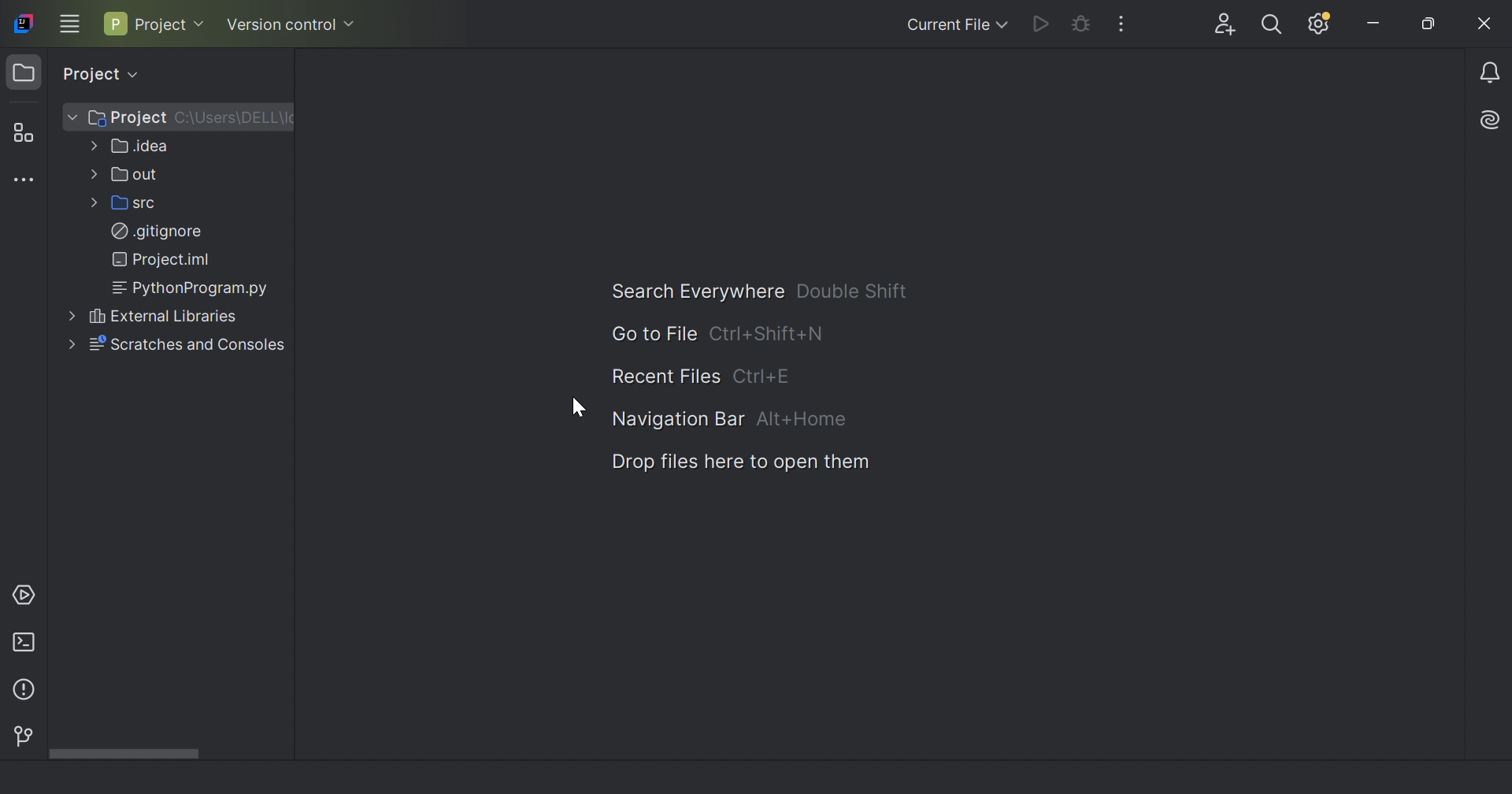 The image size is (1512, 794). What do you see at coordinates (154, 317) in the screenshot?
I see `External libraries` at bounding box center [154, 317].